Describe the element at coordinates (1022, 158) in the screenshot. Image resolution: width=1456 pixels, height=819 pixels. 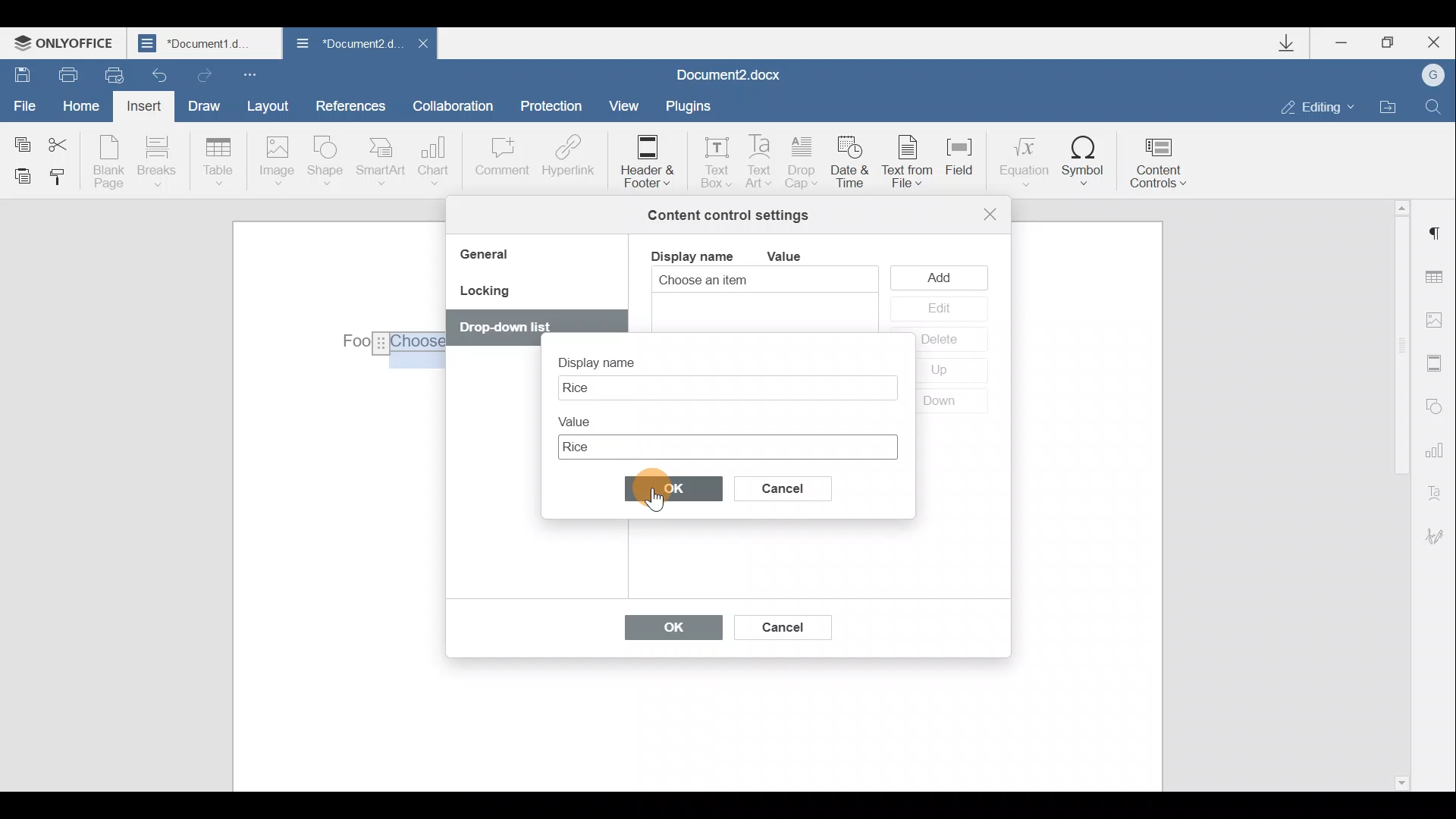
I see `Equation` at that location.